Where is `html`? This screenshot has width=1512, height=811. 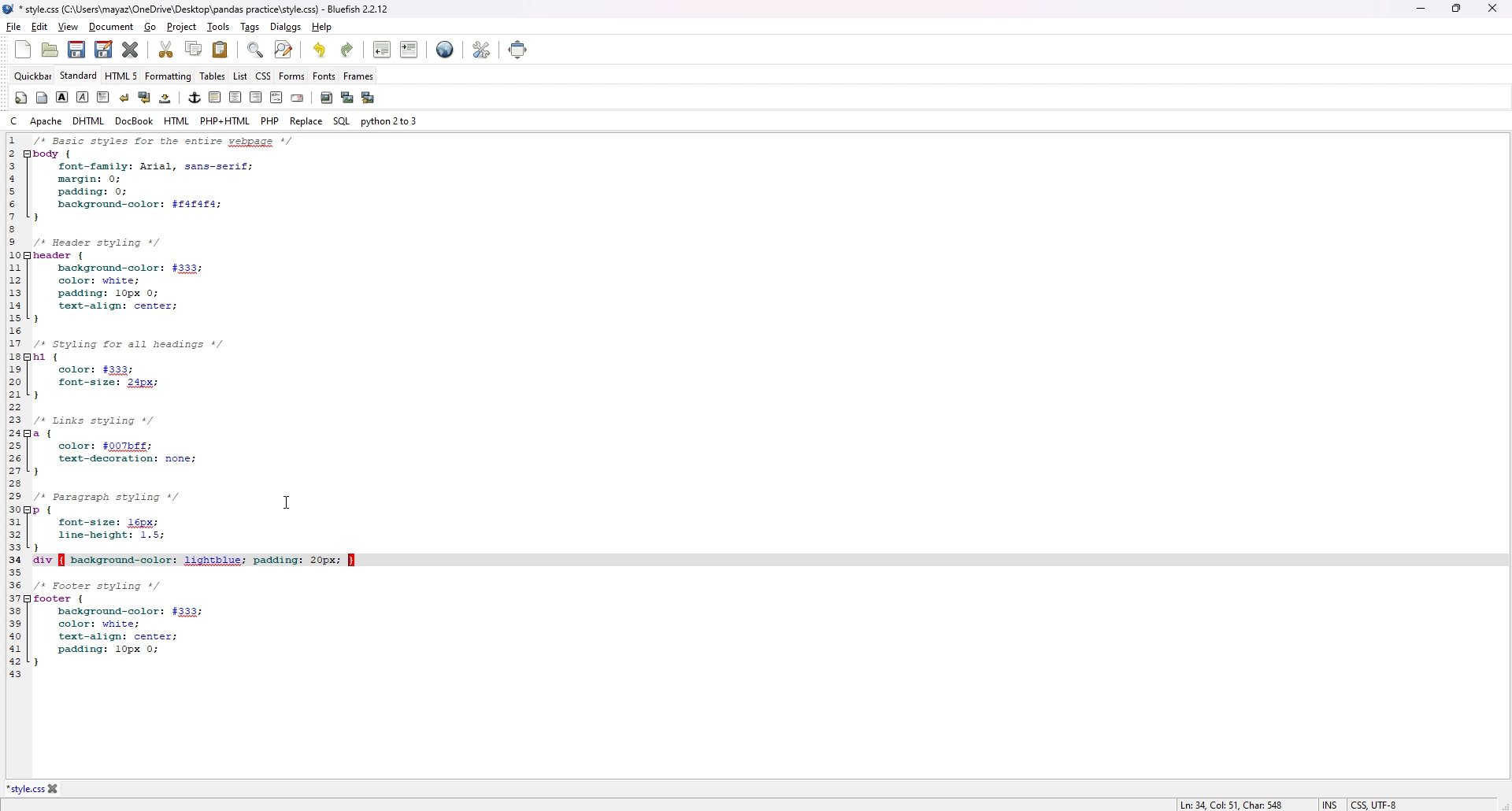 html is located at coordinates (177, 120).